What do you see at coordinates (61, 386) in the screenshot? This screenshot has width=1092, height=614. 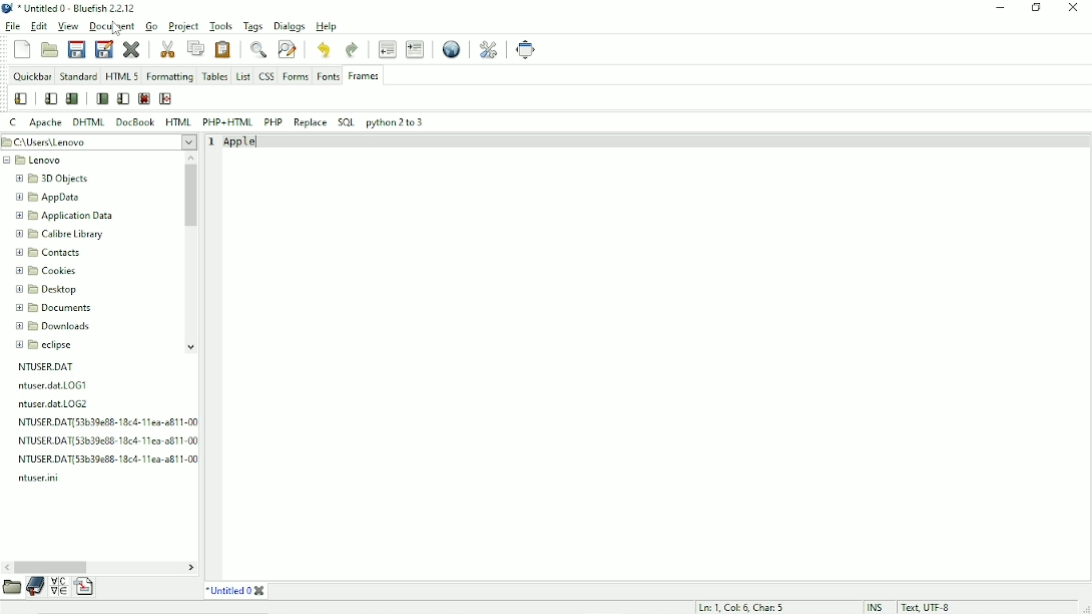 I see `file` at bounding box center [61, 386].